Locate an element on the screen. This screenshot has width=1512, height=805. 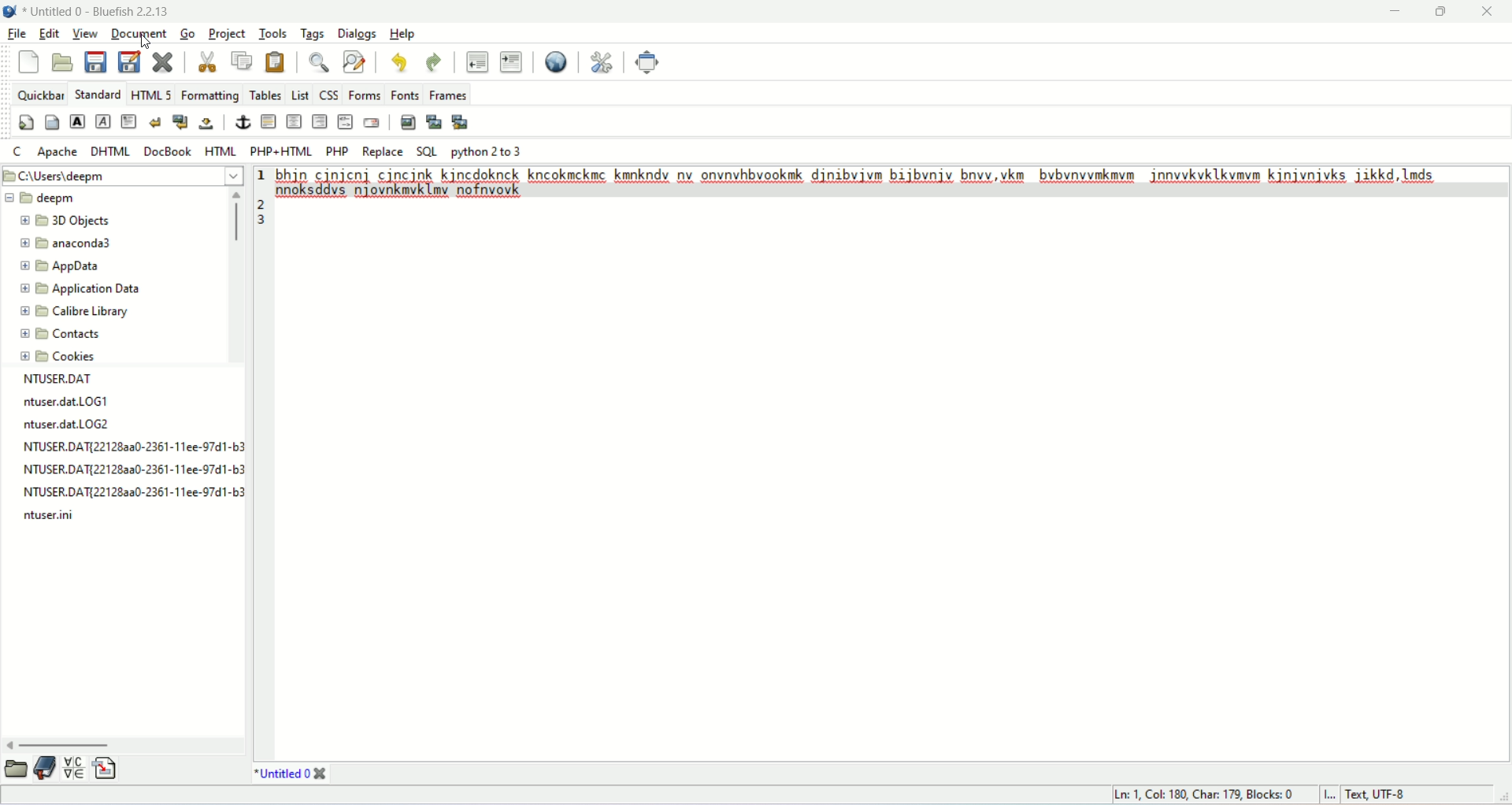
center is located at coordinates (295, 121).